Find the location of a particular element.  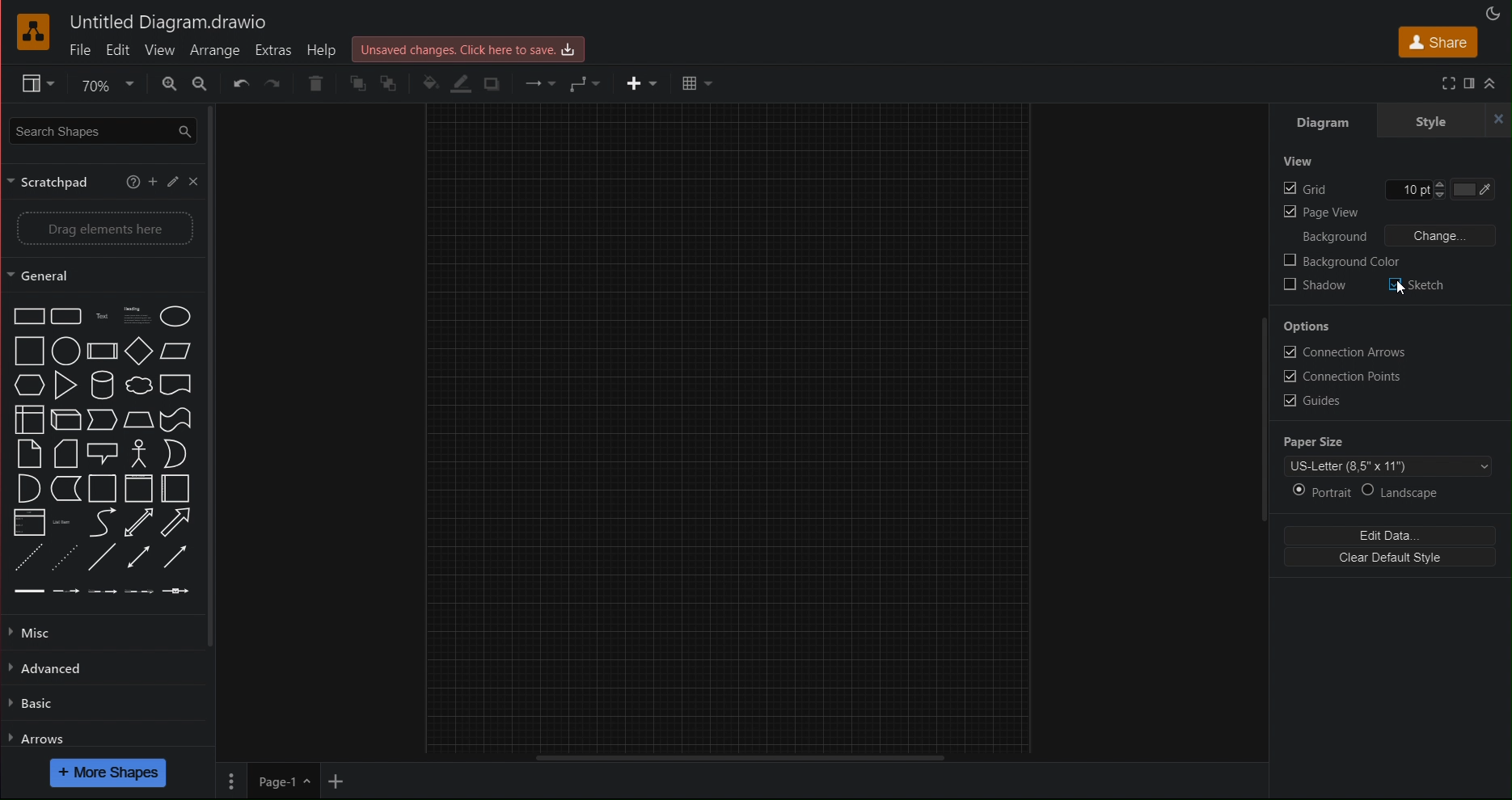

help is located at coordinates (131, 184).